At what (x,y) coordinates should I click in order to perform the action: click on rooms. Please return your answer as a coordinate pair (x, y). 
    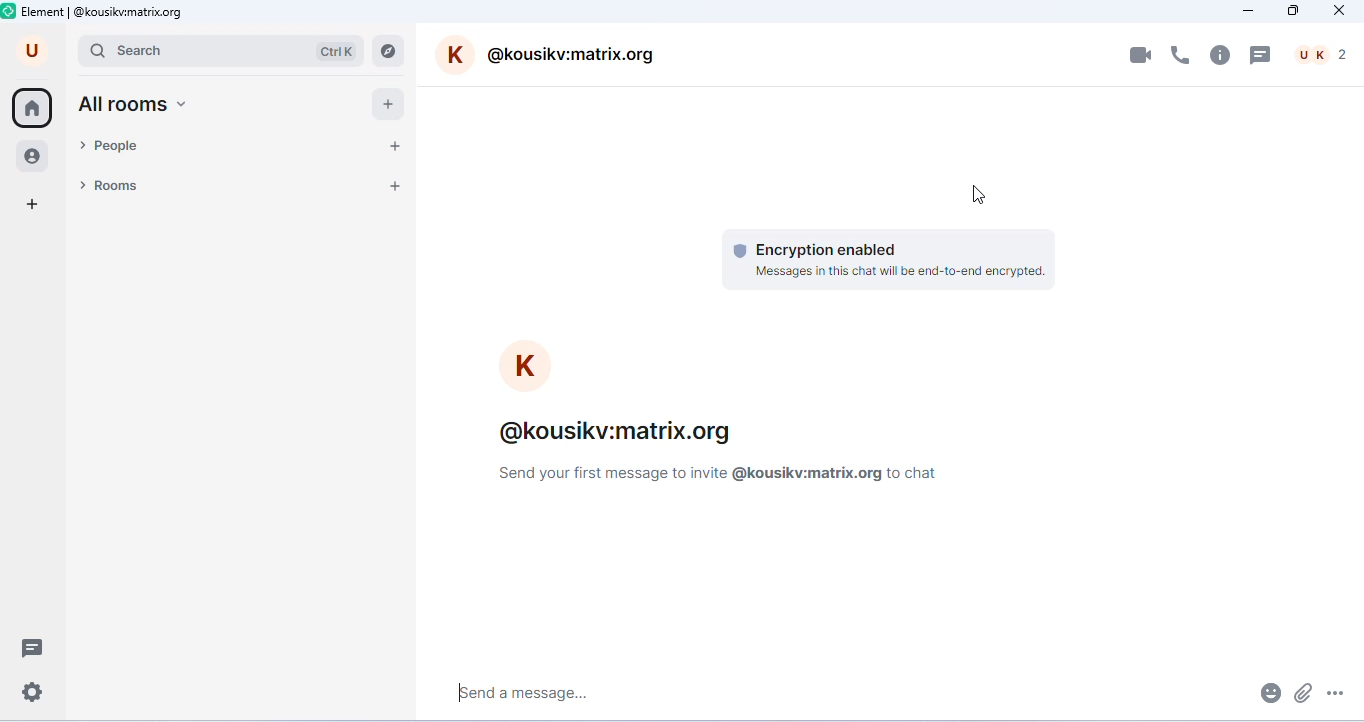
    Looking at the image, I should click on (108, 185).